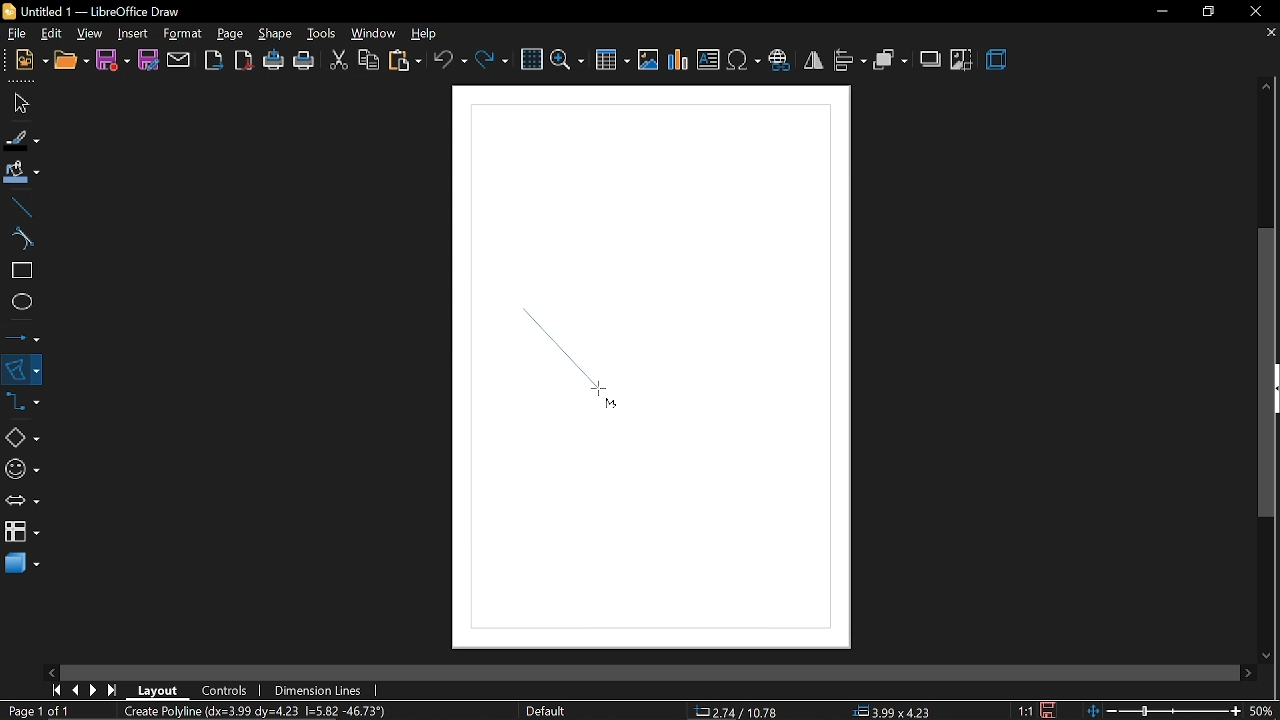 This screenshot has width=1280, height=720. Describe the element at coordinates (1267, 87) in the screenshot. I see `move up` at that location.